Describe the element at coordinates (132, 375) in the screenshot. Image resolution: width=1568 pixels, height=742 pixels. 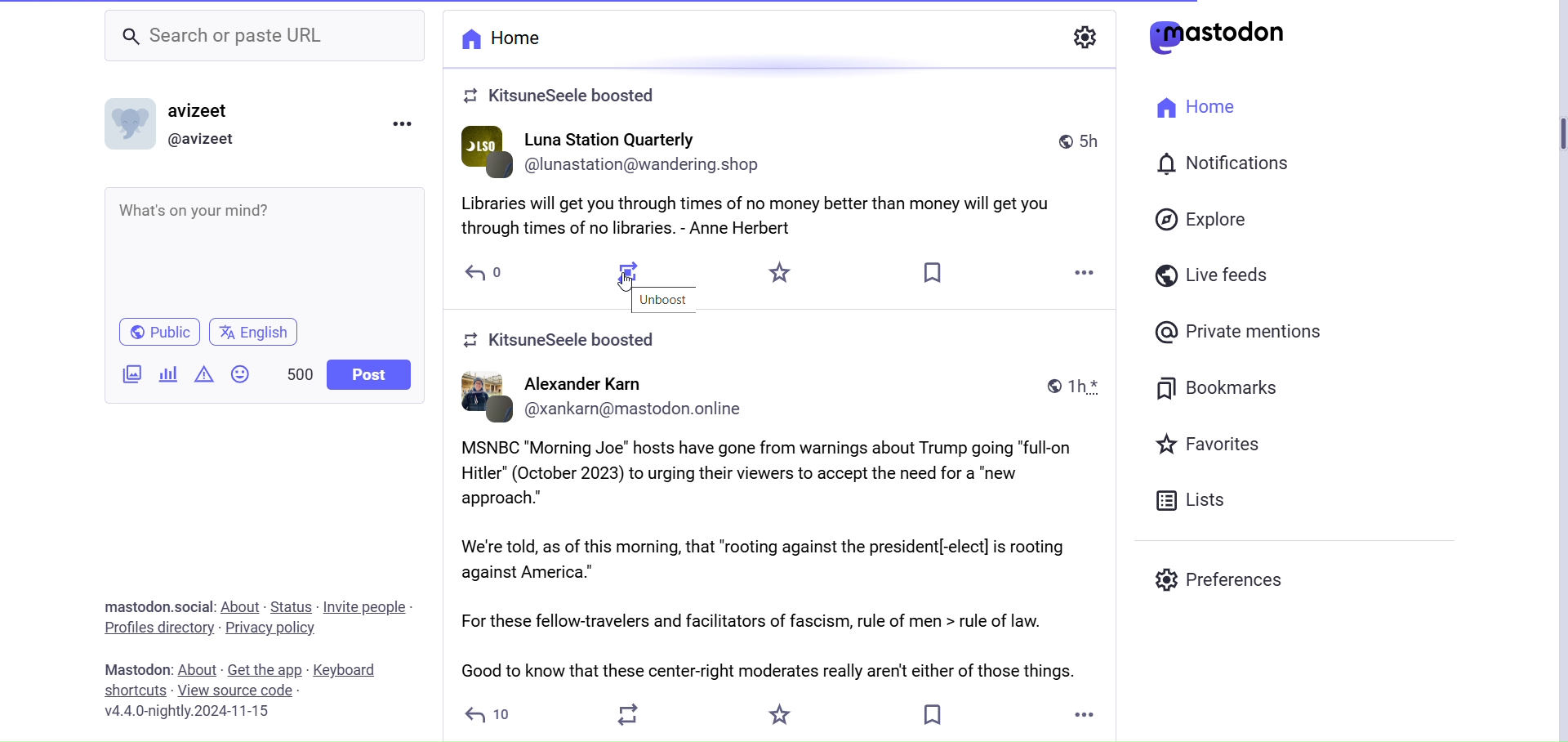
I see `Add image` at that location.